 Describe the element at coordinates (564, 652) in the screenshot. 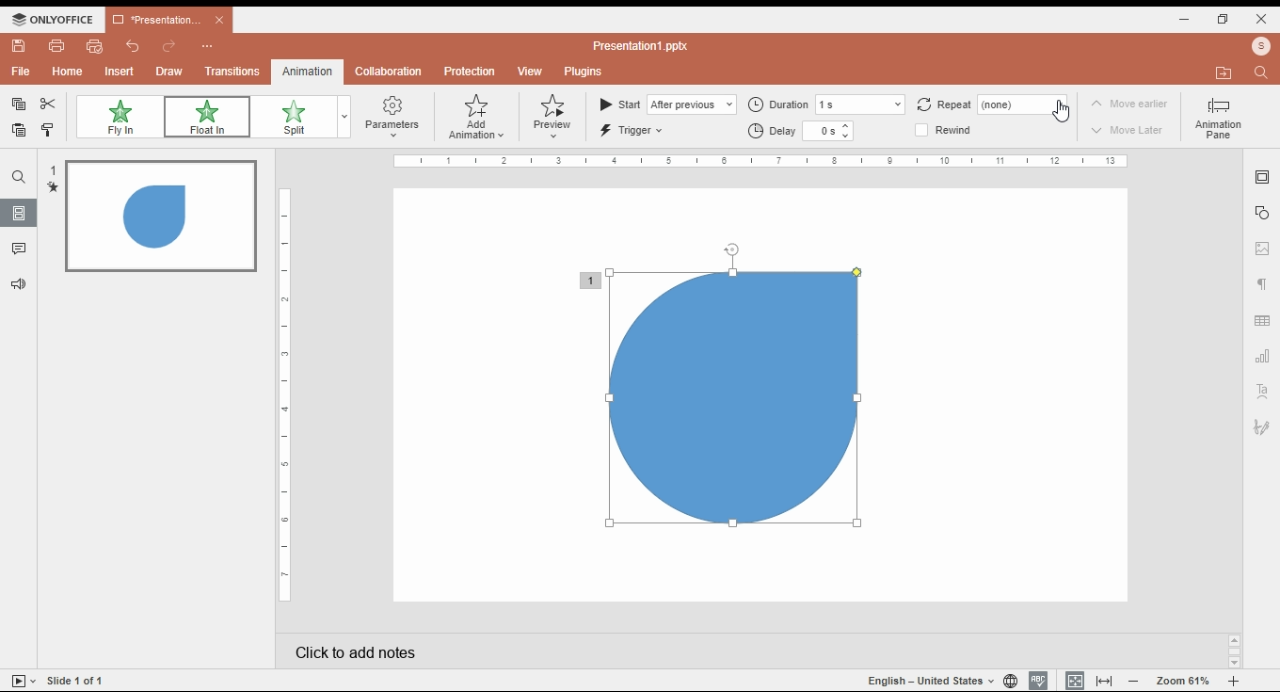

I see `click to add notes` at that location.